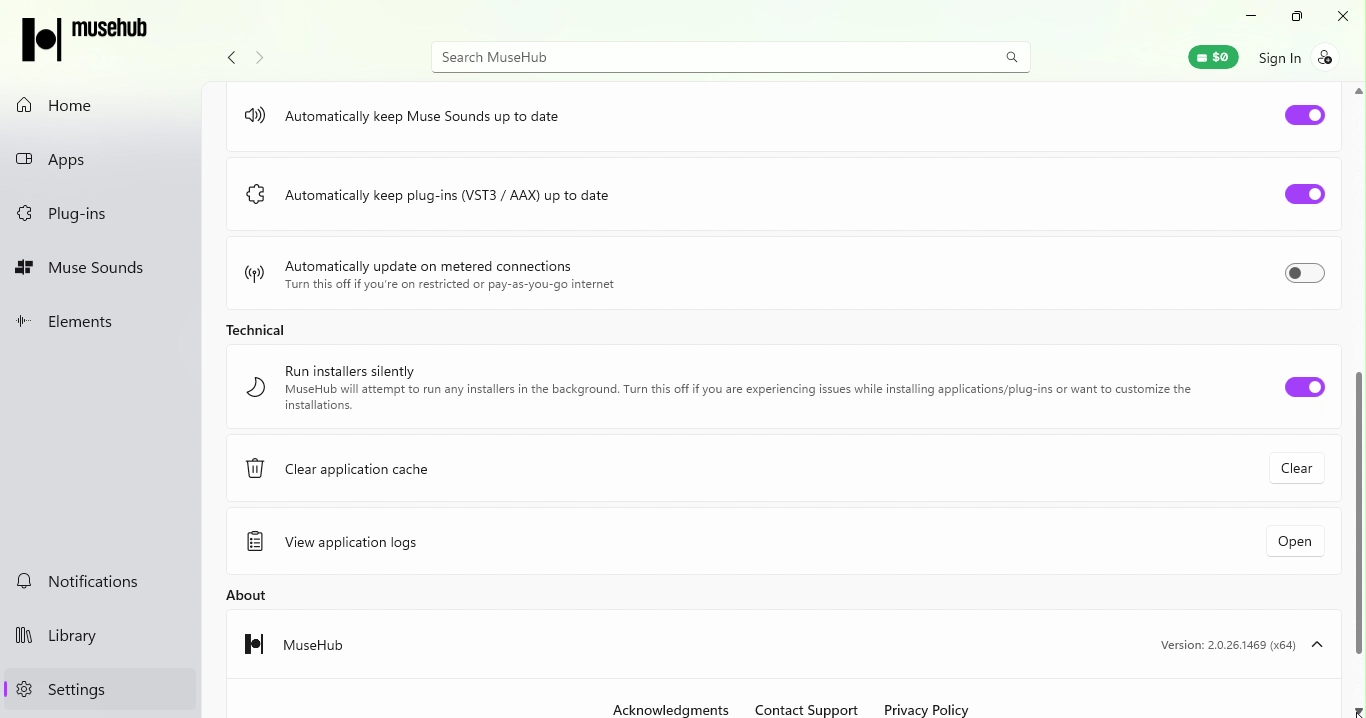 This screenshot has width=1366, height=718. What do you see at coordinates (1204, 56) in the screenshot?
I see `Muse wallet` at bounding box center [1204, 56].